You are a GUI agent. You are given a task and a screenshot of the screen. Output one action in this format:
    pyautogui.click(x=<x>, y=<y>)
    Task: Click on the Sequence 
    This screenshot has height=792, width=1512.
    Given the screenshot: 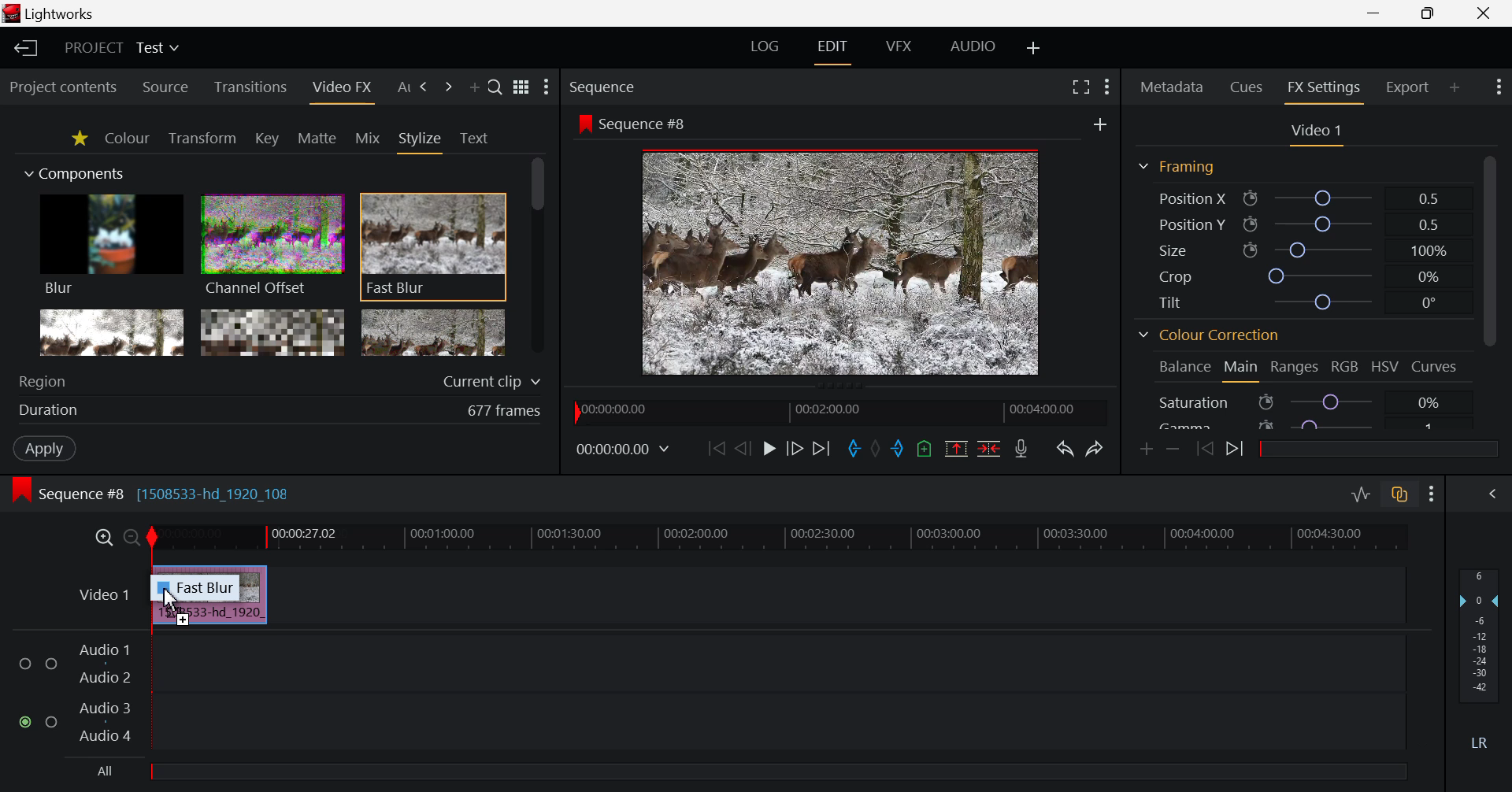 What is the action you would take?
    pyautogui.click(x=606, y=87)
    